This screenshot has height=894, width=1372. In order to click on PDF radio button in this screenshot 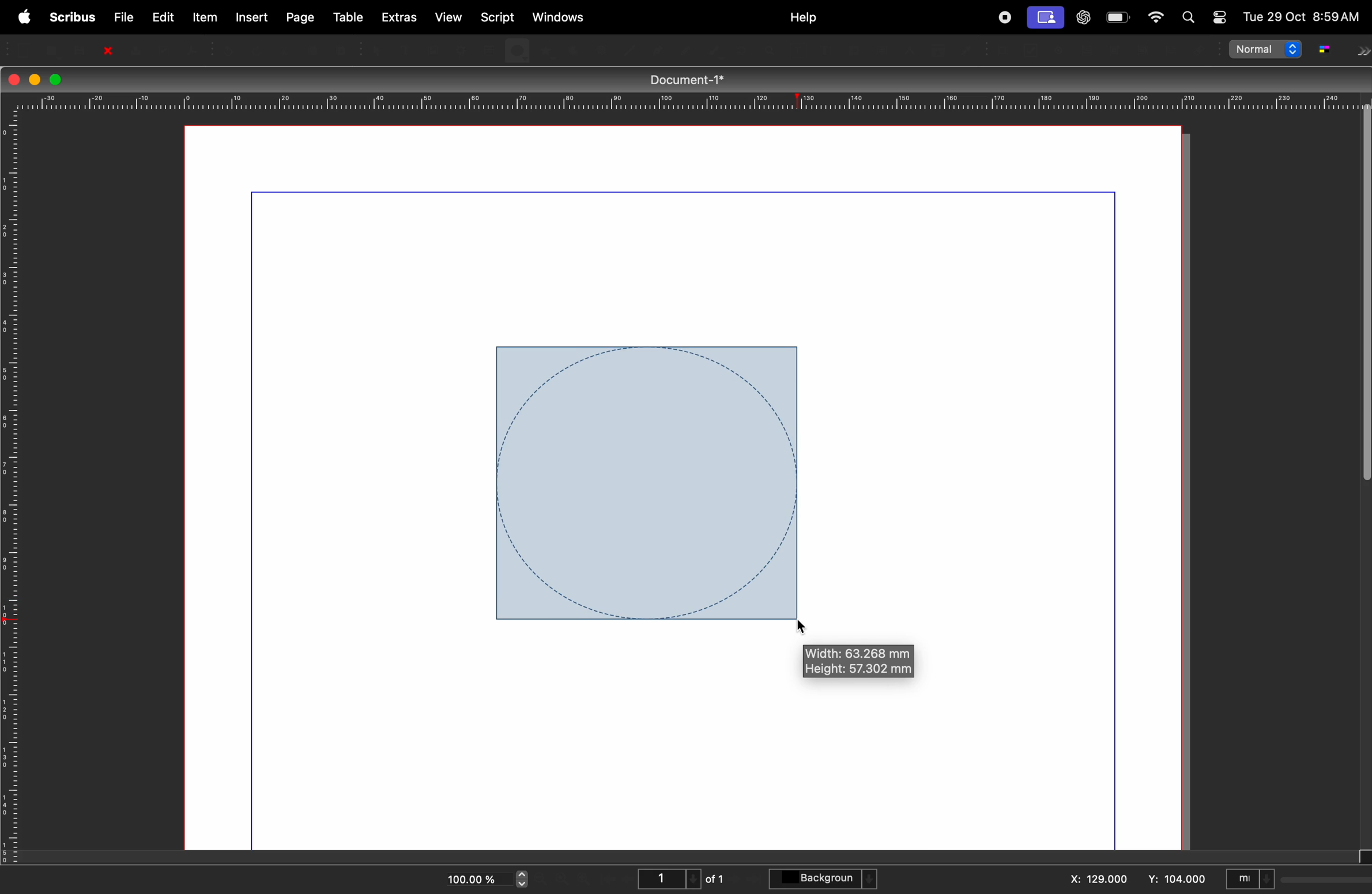, I will do `click(1062, 50)`.